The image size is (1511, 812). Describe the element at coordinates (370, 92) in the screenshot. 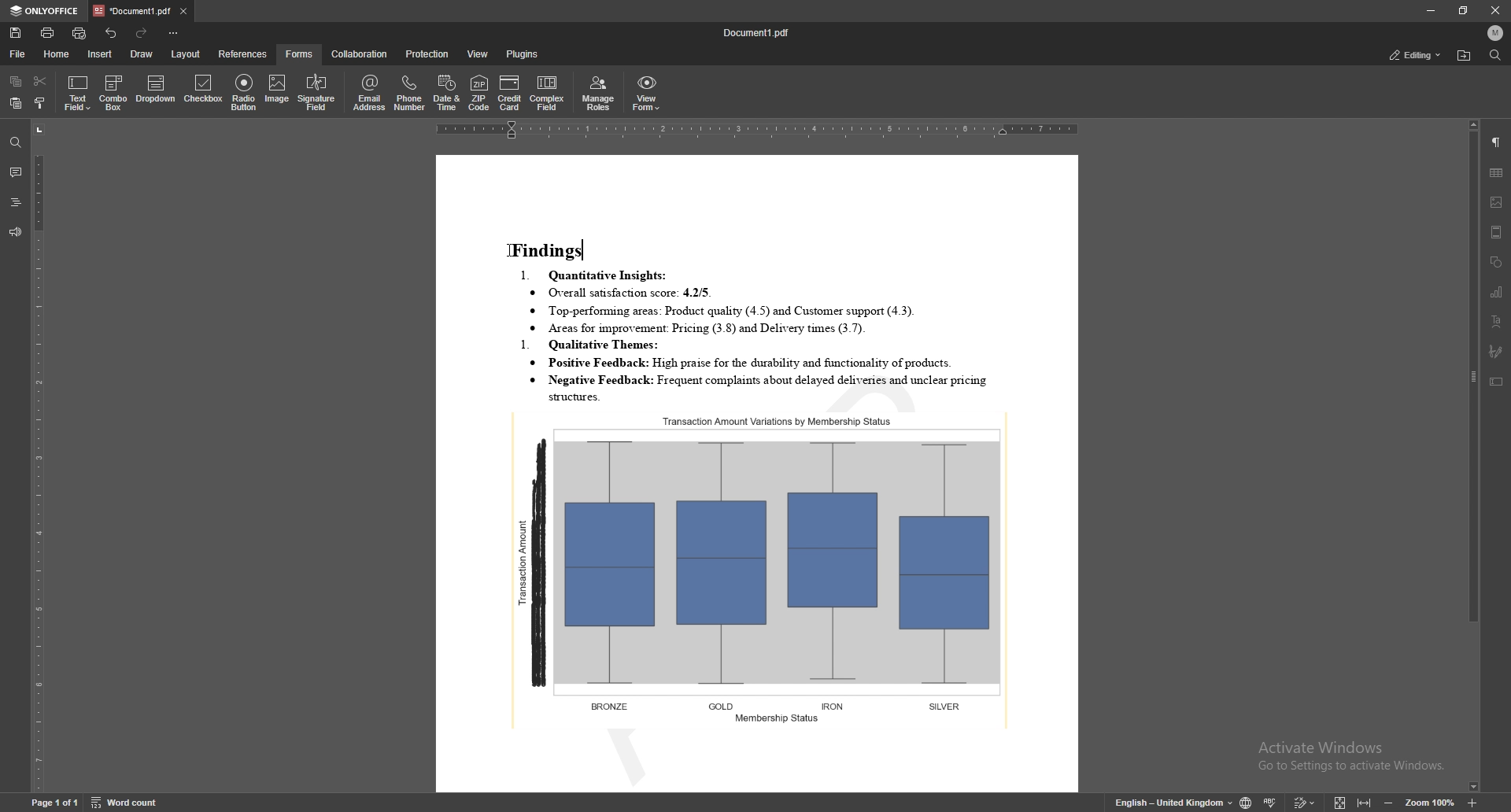

I see `email address` at that location.